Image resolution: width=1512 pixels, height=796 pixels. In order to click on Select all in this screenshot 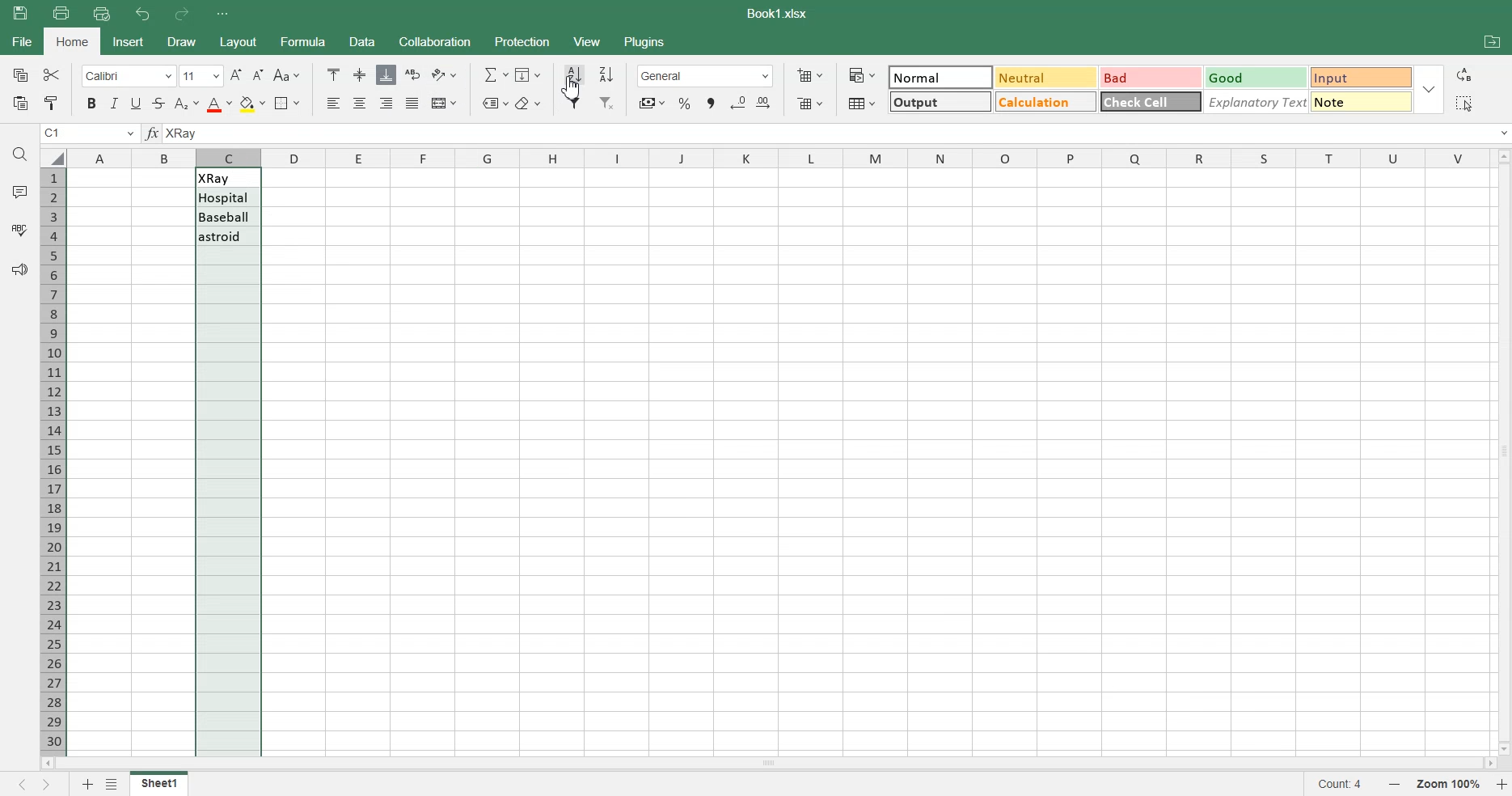, I will do `click(1463, 103)`.